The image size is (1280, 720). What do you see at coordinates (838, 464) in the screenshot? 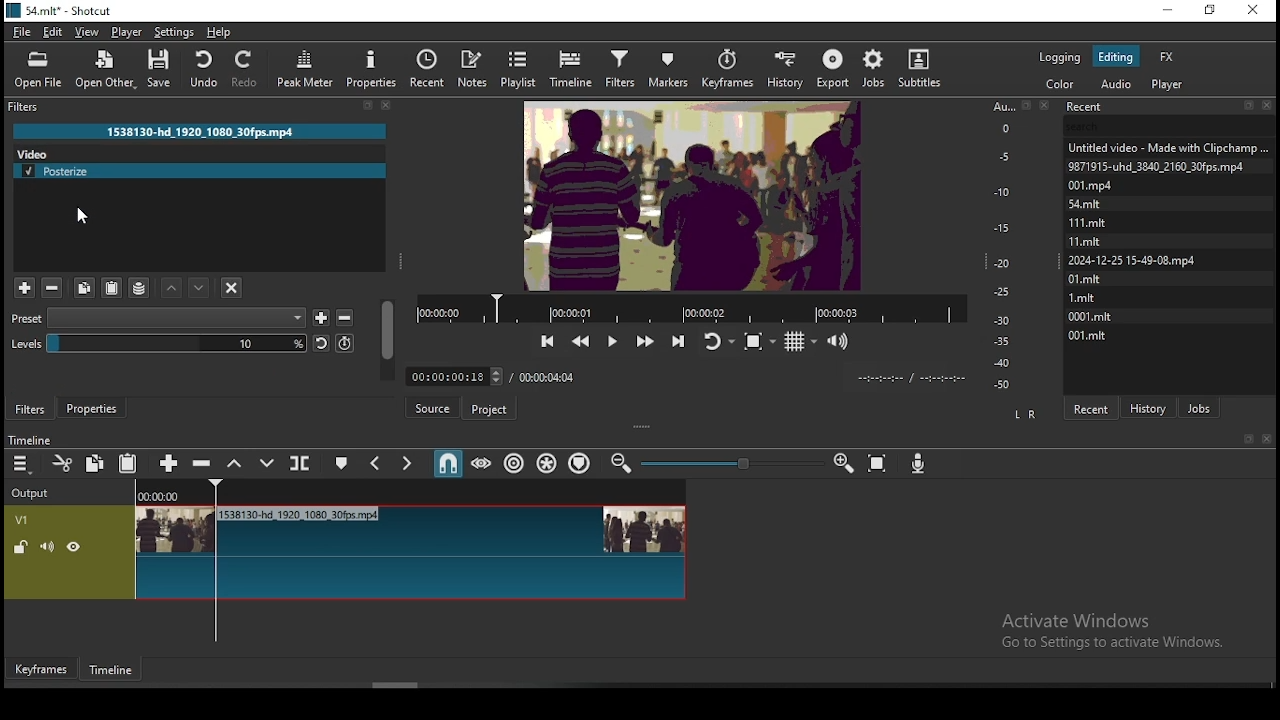
I see `zoom timeline out` at bounding box center [838, 464].